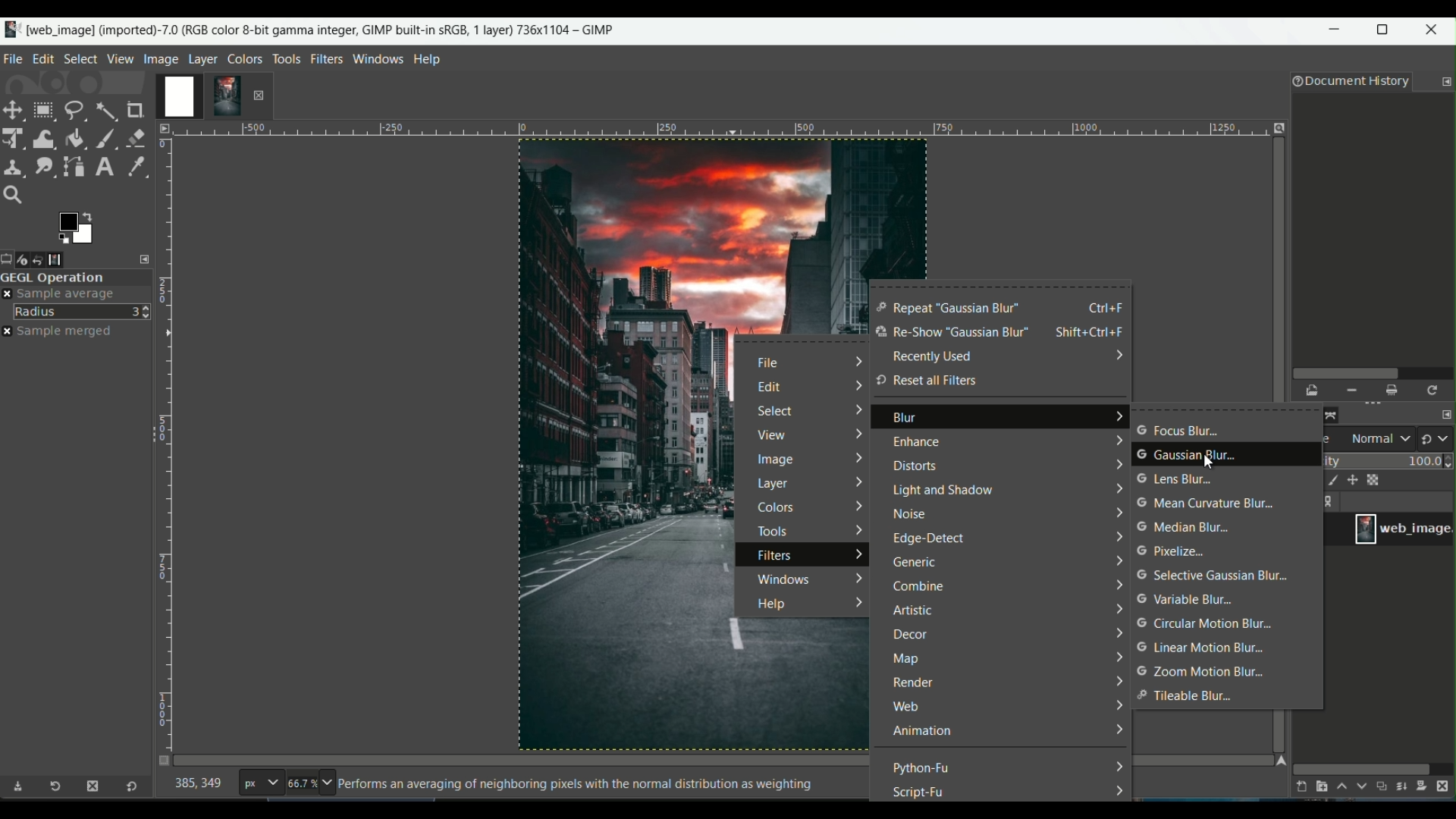  I want to click on paths, so click(1336, 413).